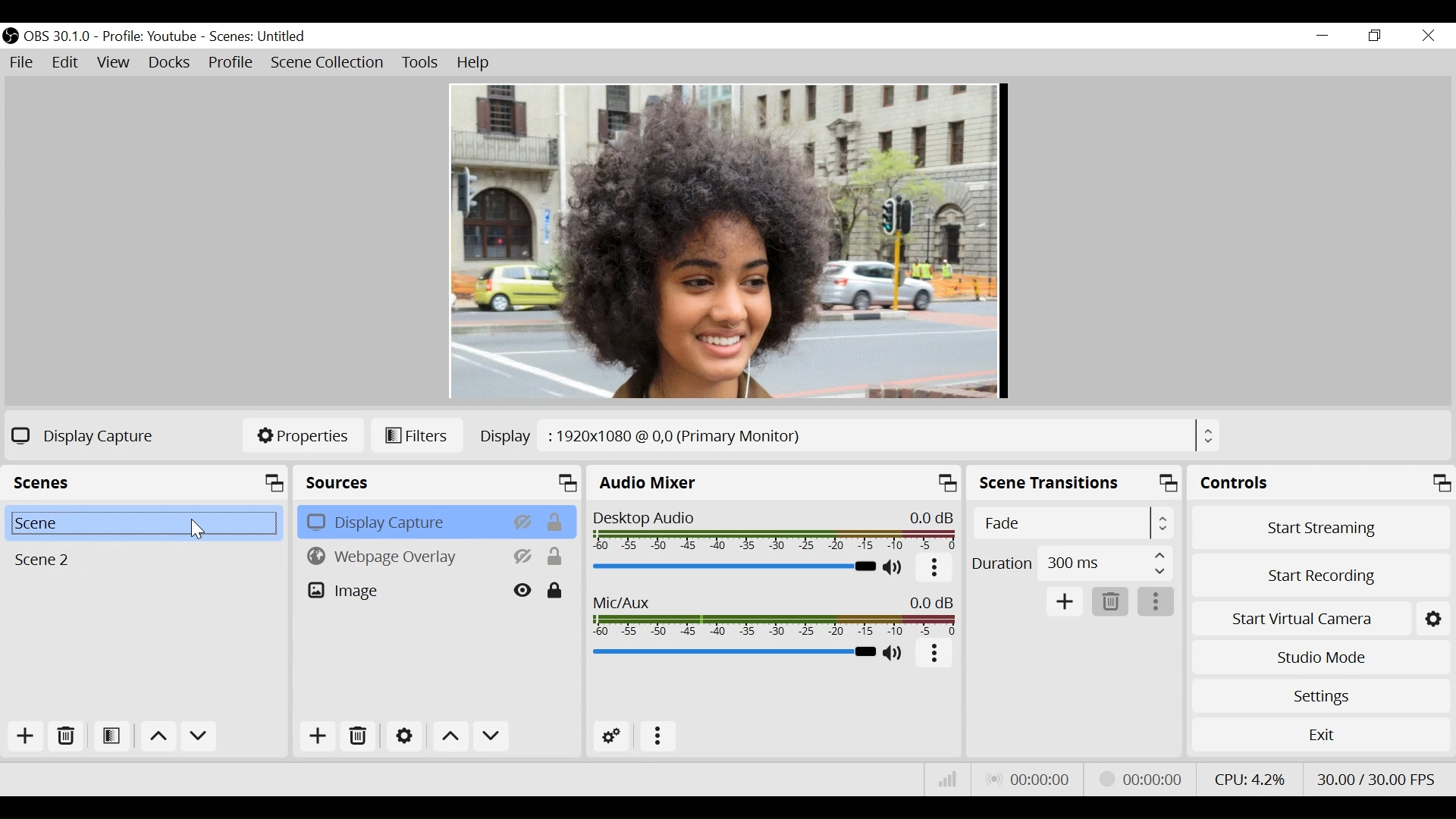 The image size is (1456, 819). Describe the element at coordinates (1376, 778) in the screenshot. I see `Frame Per Second` at that location.